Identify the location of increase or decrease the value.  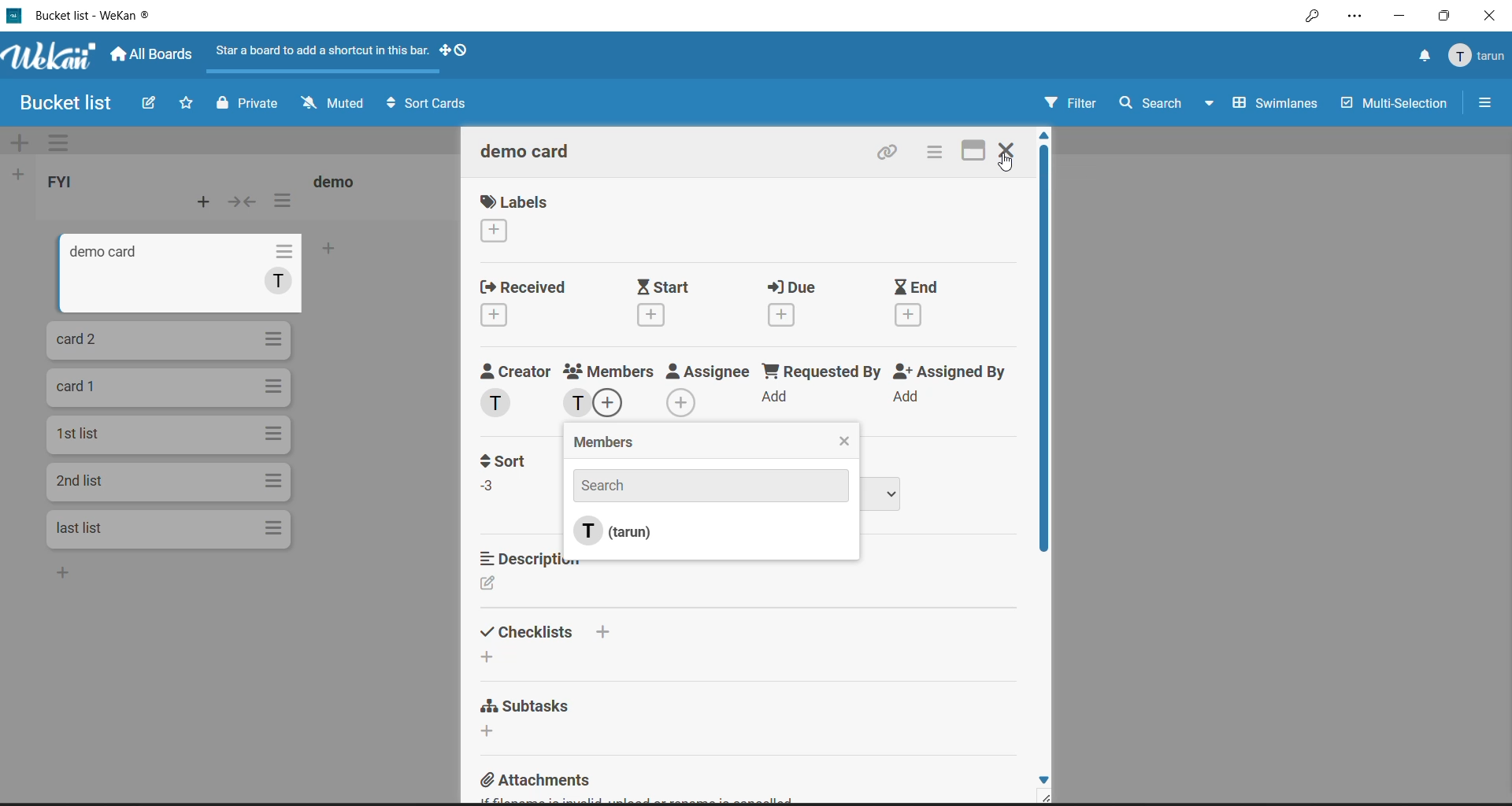
(491, 490).